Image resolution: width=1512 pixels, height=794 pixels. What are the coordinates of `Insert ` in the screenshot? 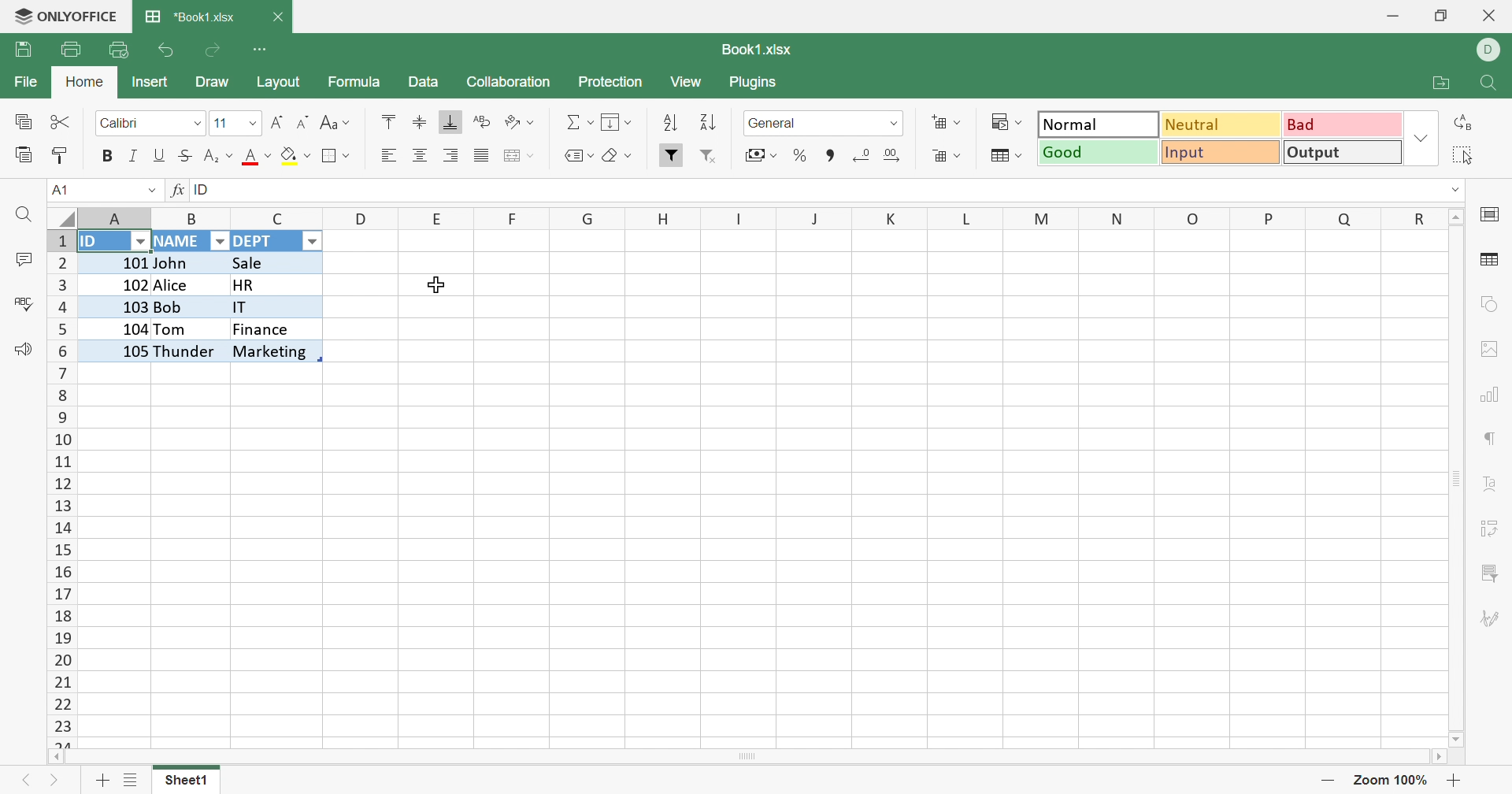 It's located at (947, 123).